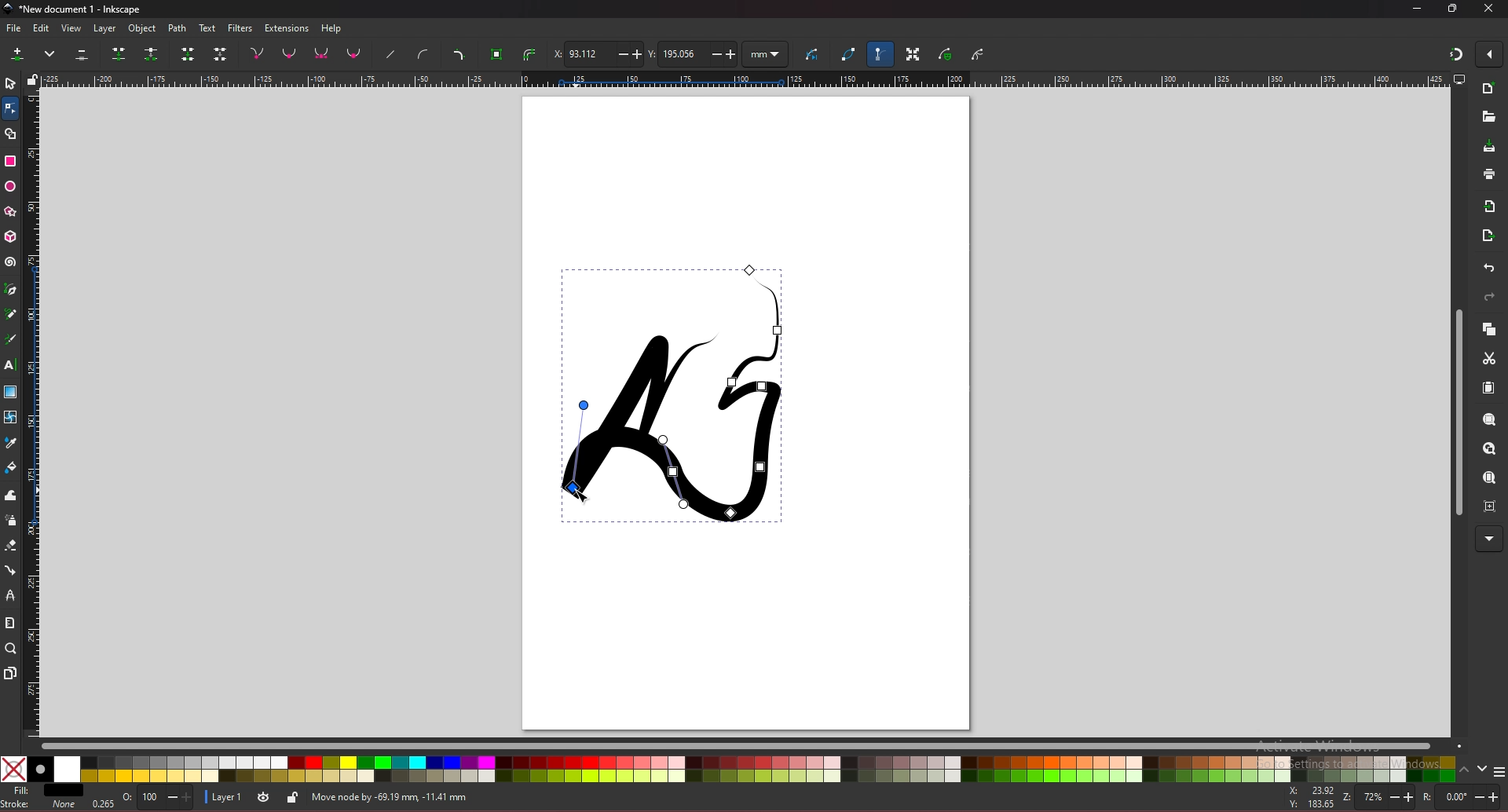 This screenshot has width=1508, height=812. What do you see at coordinates (745, 79) in the screenshot?
I see `horizontal scale` at bounding box center [745, 79].